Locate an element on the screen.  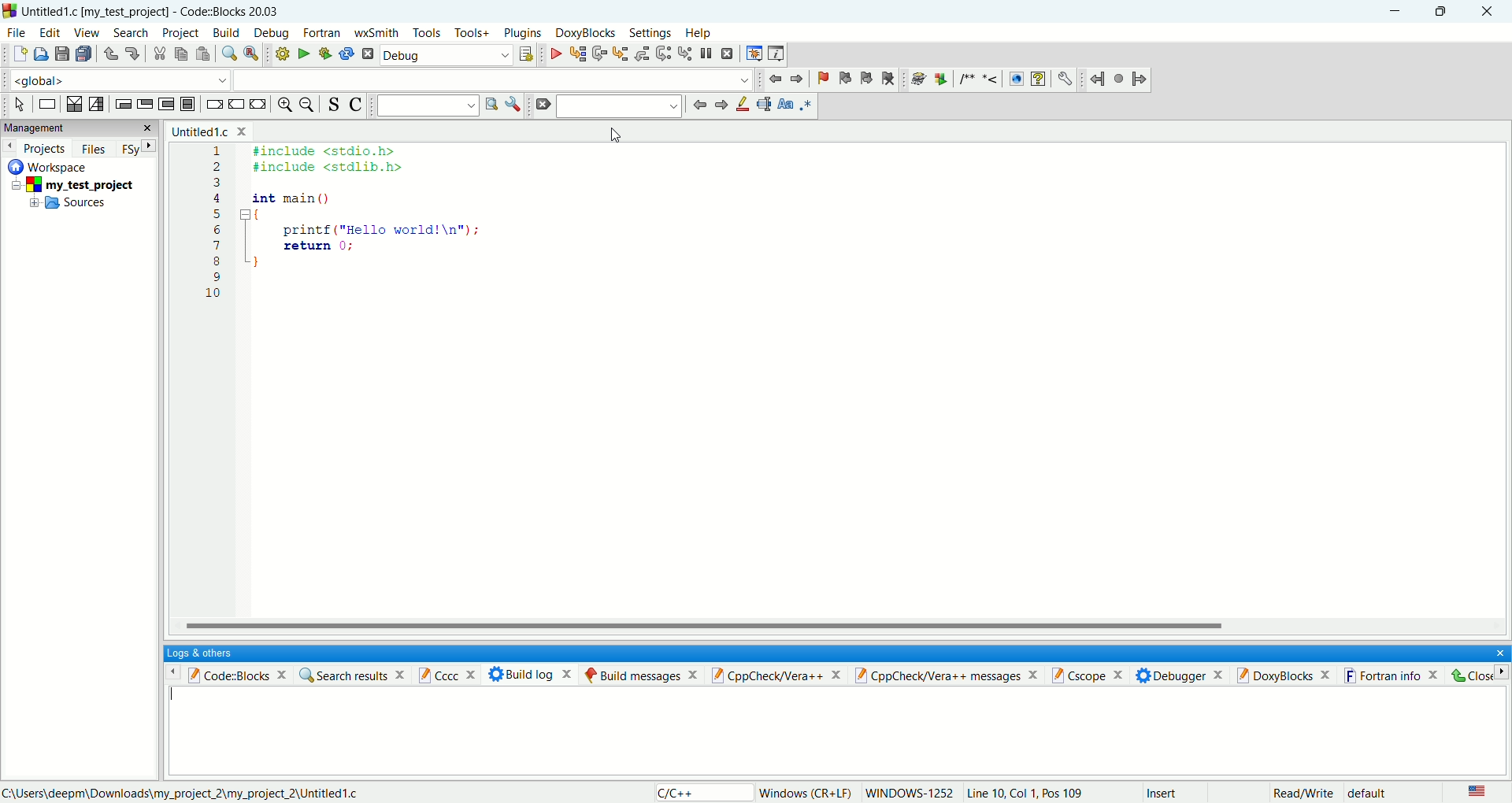
break instruction is located at coordinates (213, 105).